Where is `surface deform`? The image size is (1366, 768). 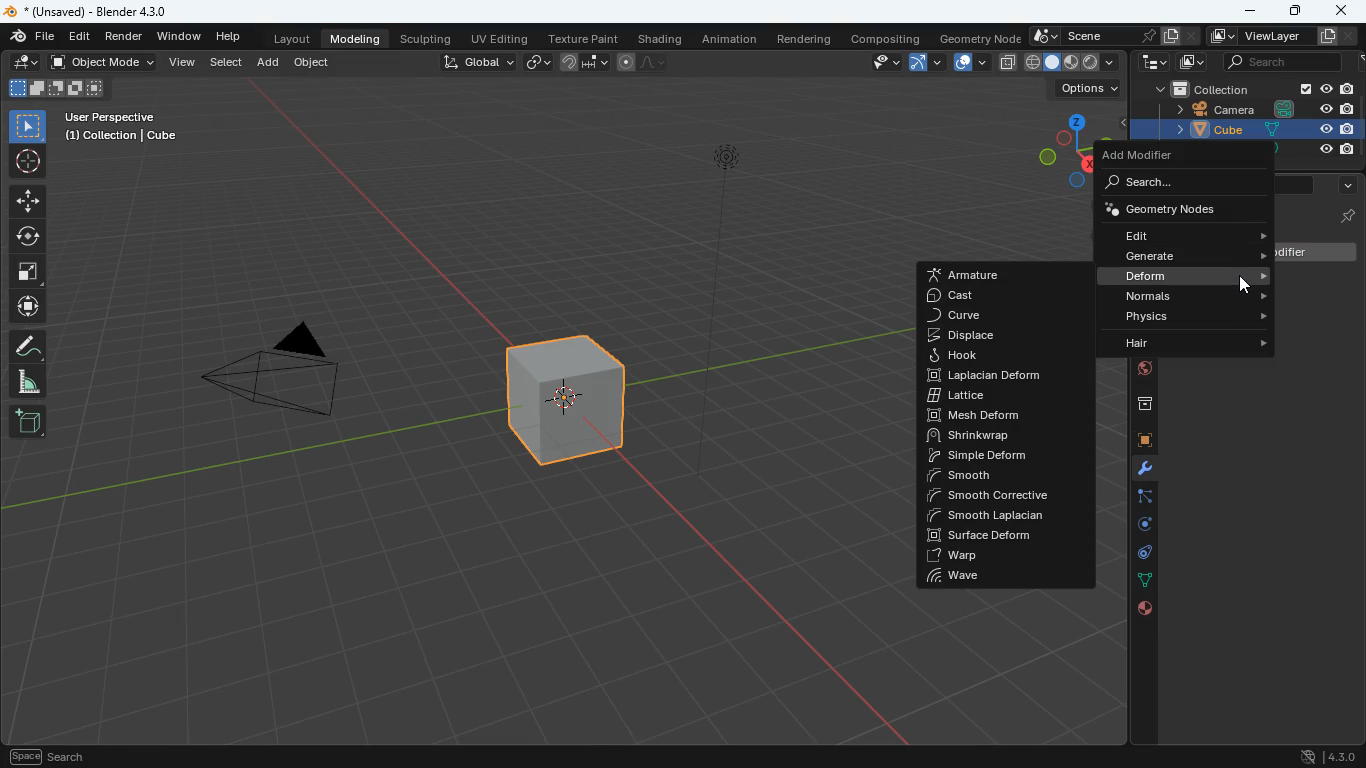
surface deform is located at coordinates (1001, 537).